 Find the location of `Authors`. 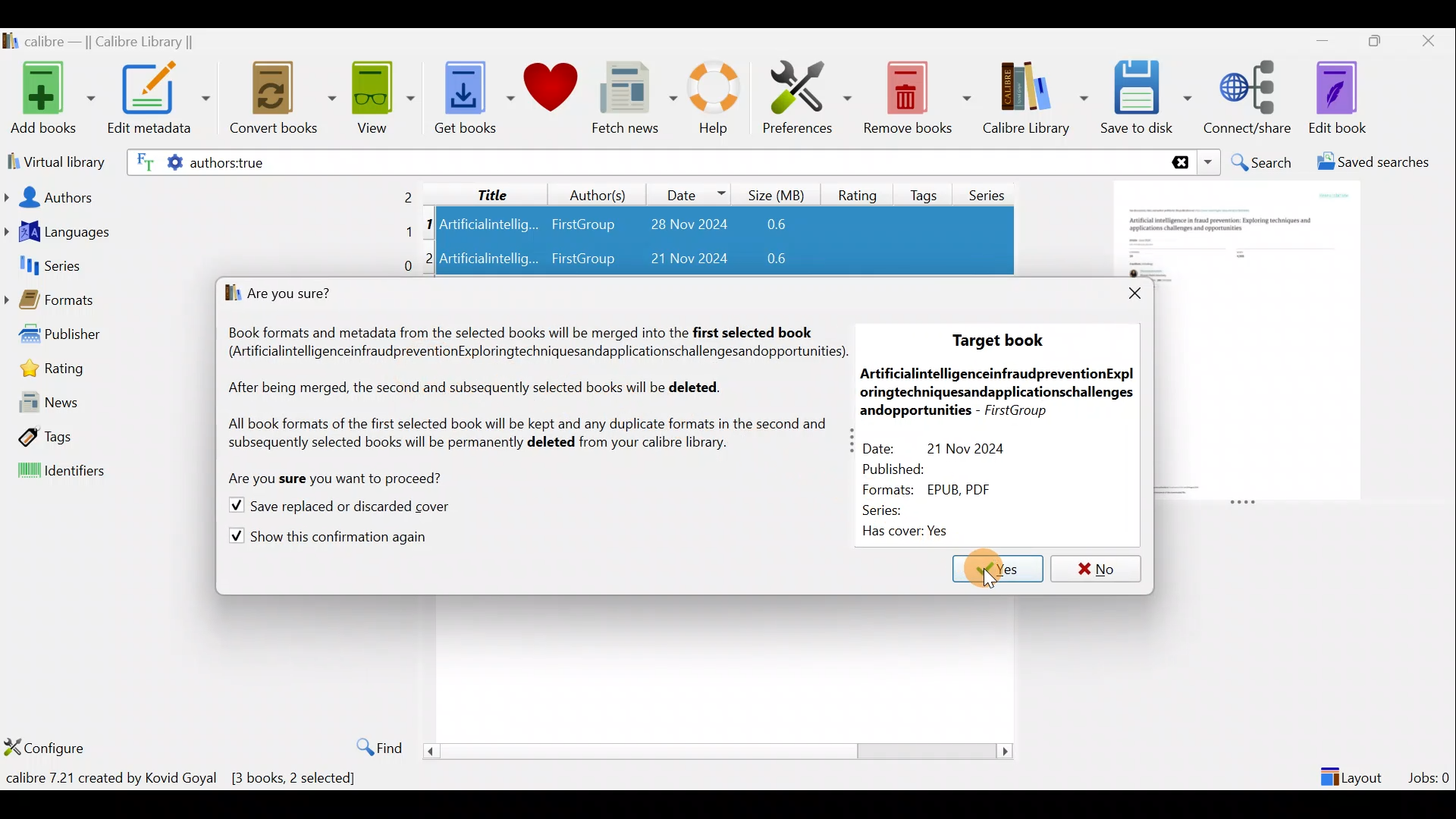

Authors is located at coordinates (210, 196).